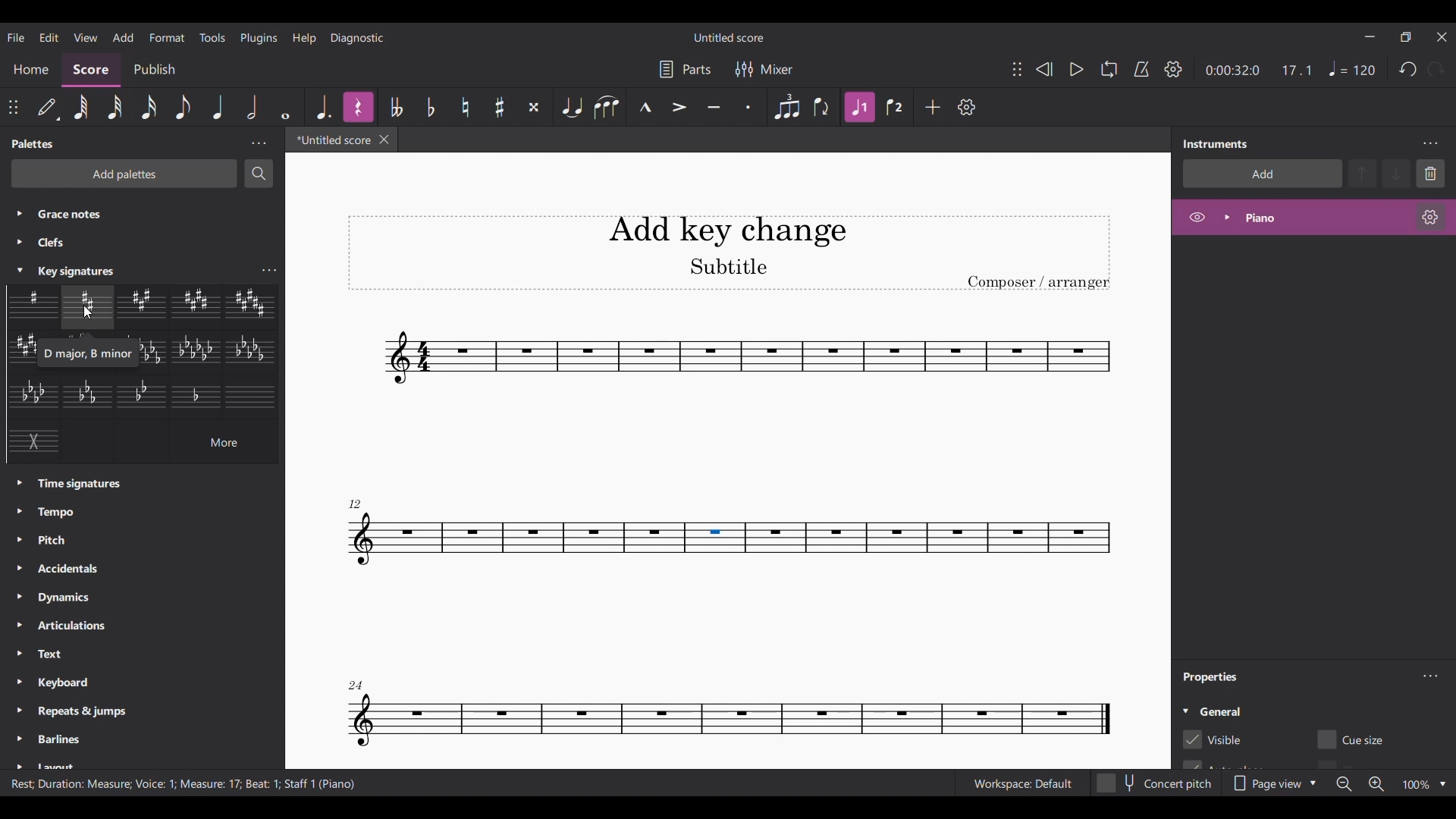  Describe the element at coordinates (1429, 217) in the screenshot. I see `Setting of respective instrument` at that location.